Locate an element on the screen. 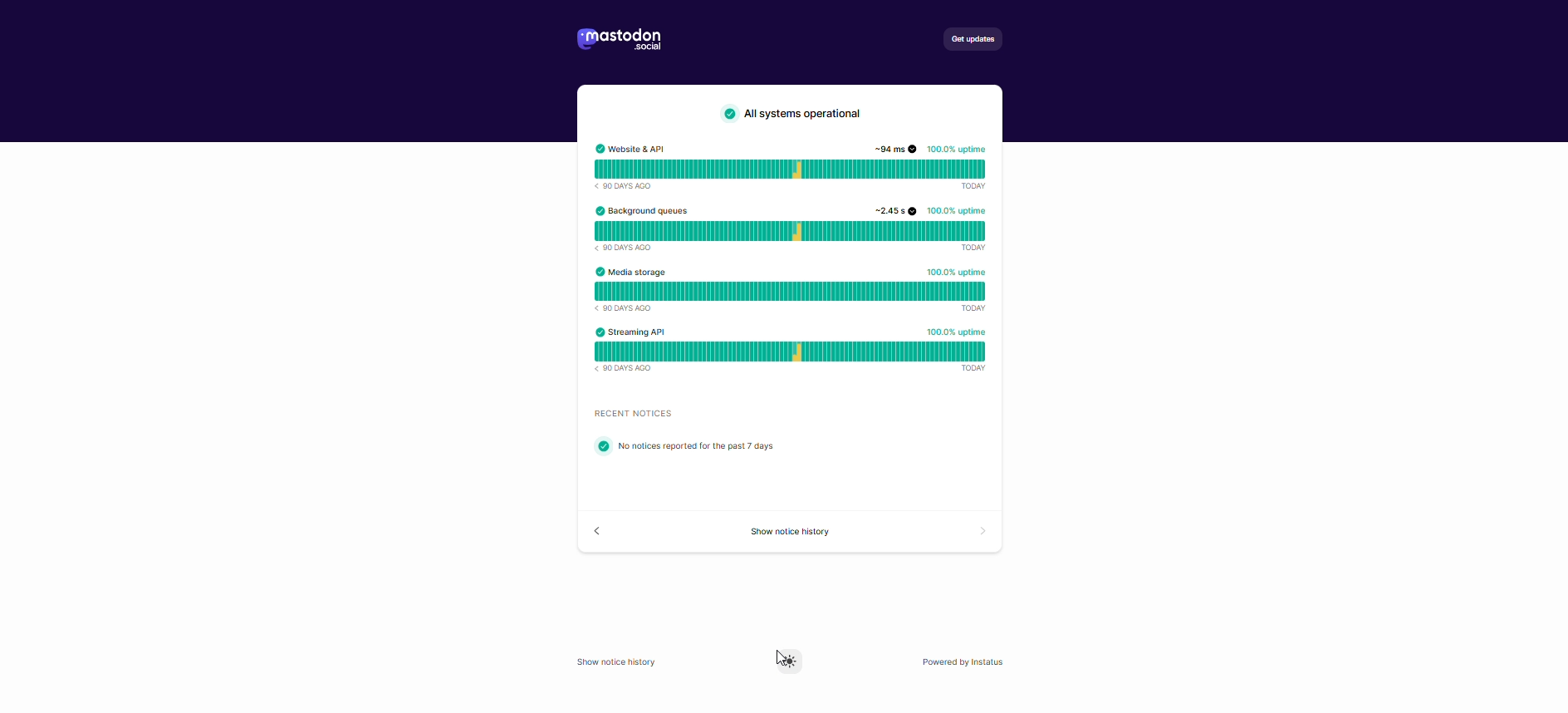 Image resolution: width=1568 pixels, height=713 pixels. text is located at coordinates (693, 435).